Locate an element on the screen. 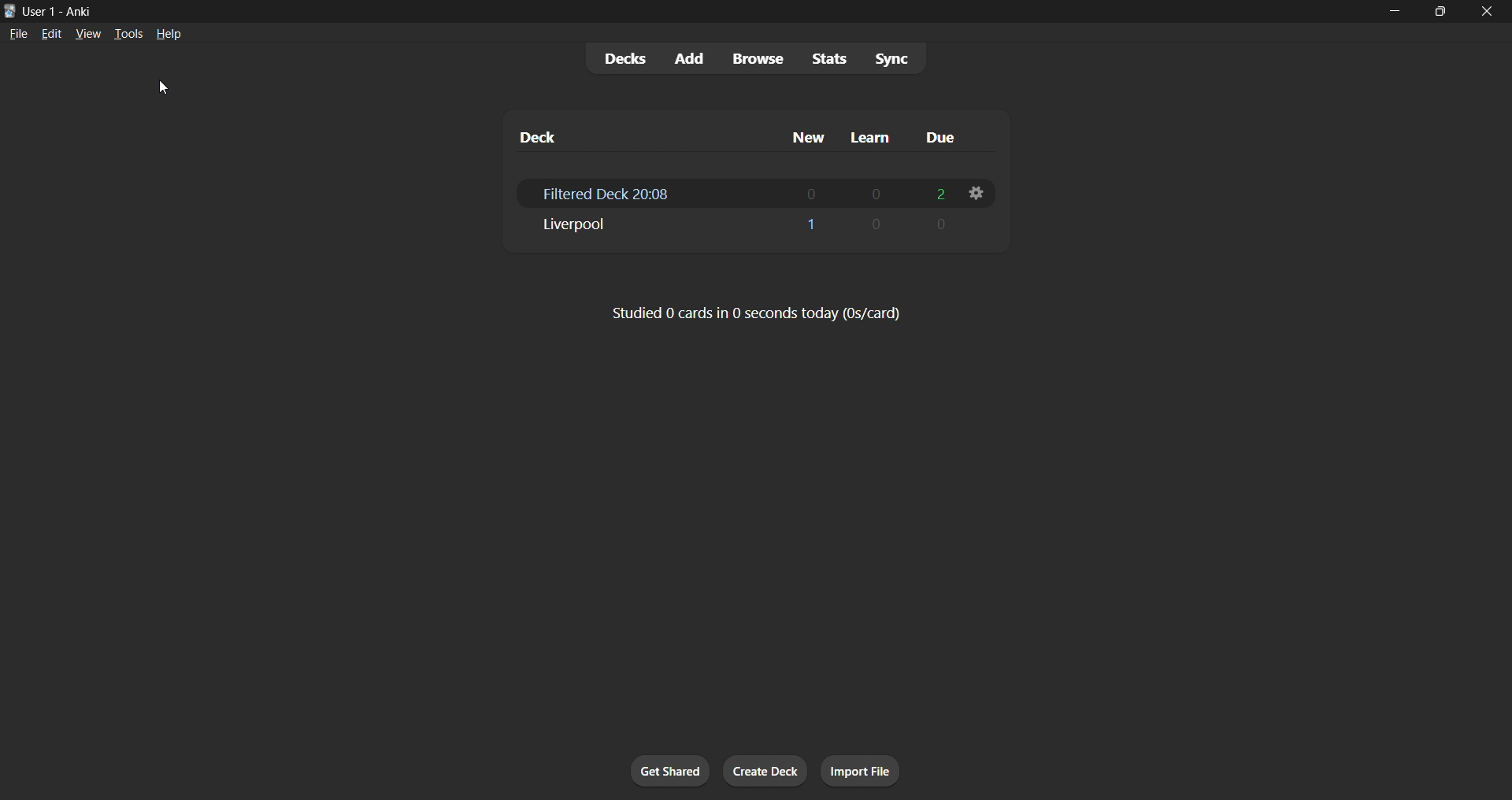 The image size is (1512, 800). deck column is located at coordinates (630, 136).